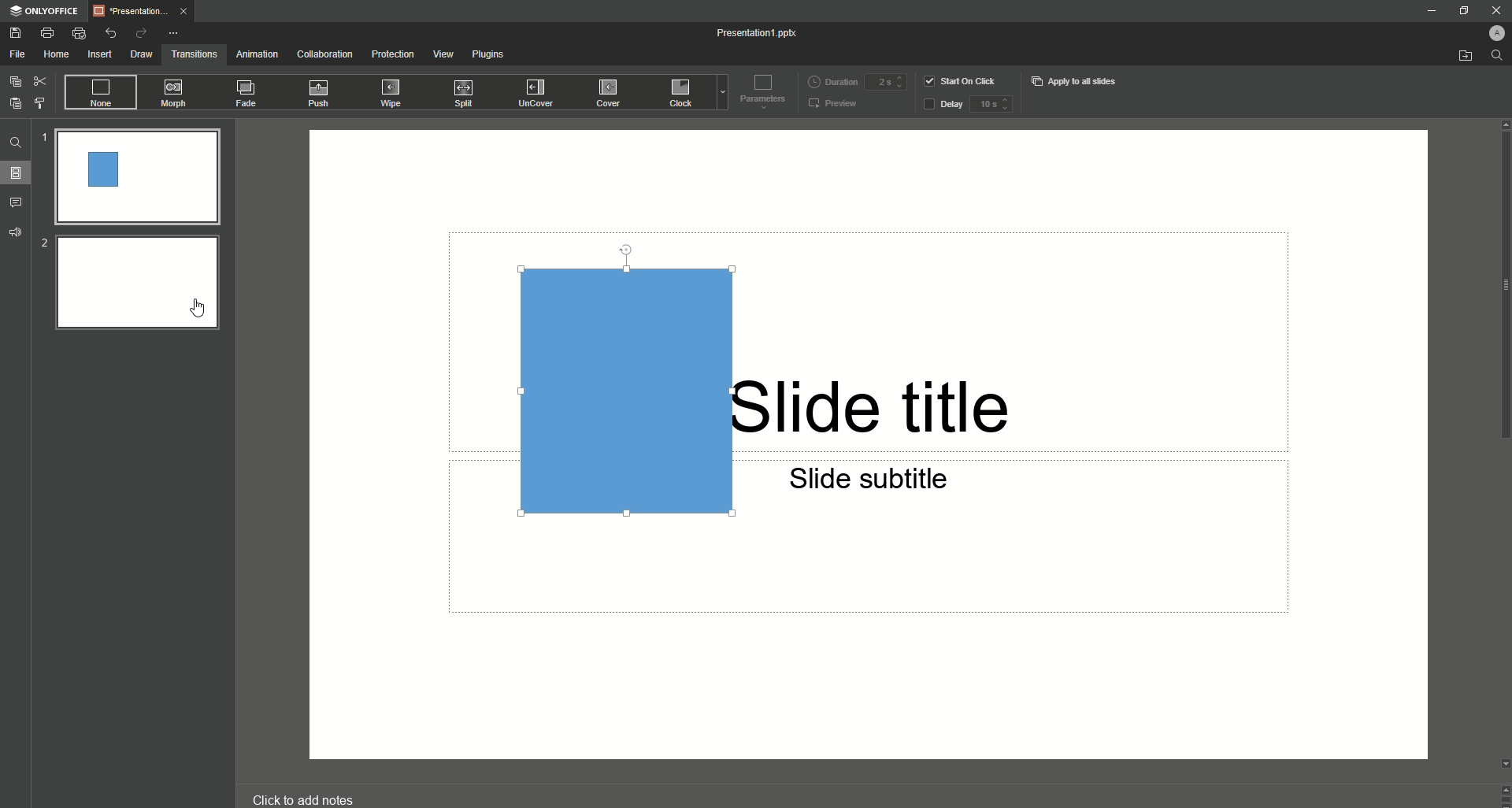 The width and height of the screenshot is (1512, 808). Describe the element at coordinates (534, 95) in the screenshot. I see `UnCover` at that location.